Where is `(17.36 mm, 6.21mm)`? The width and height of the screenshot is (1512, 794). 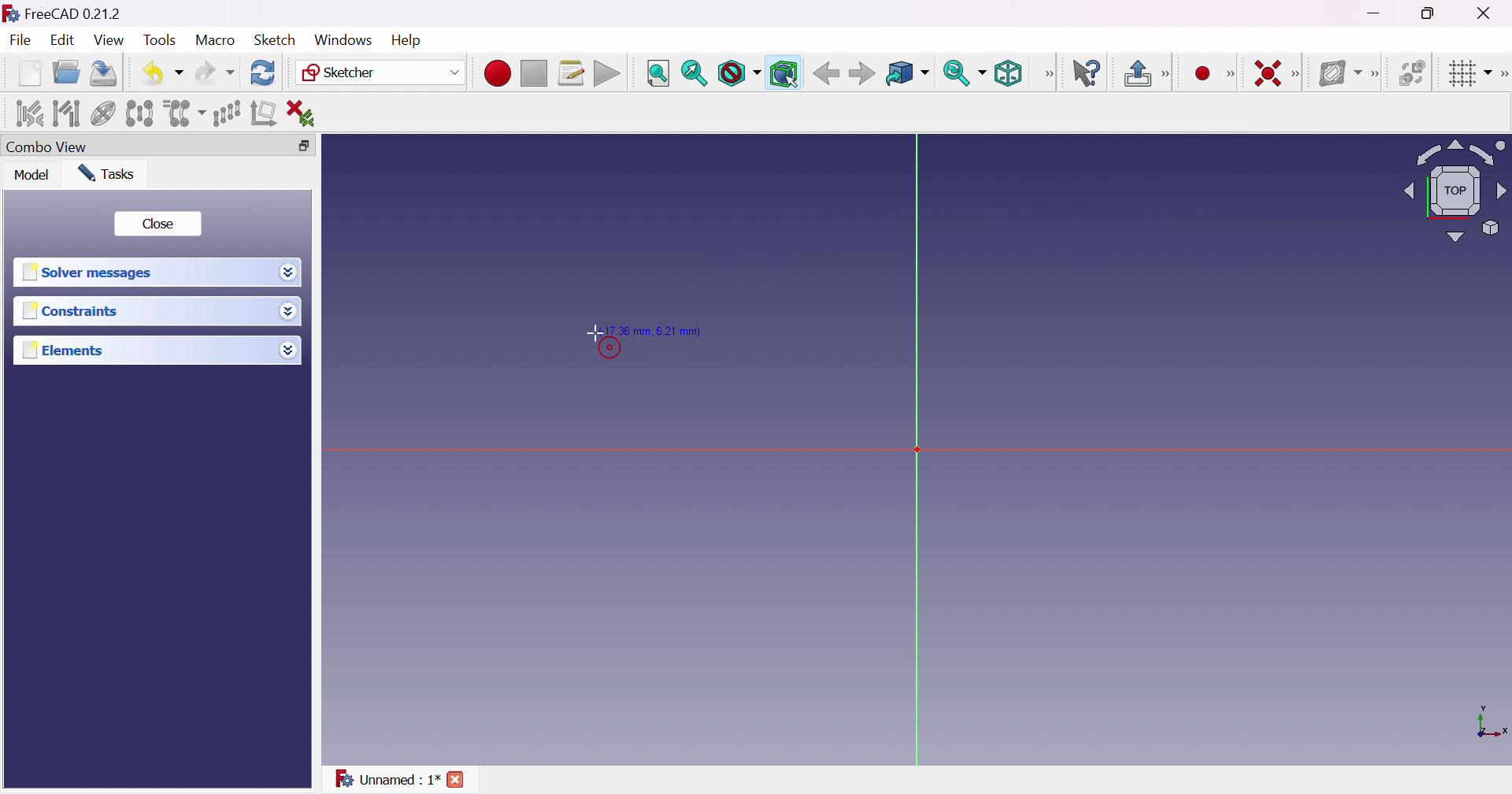
(17.36 mm, 6.21mm) is located at coordinates (654, 329).